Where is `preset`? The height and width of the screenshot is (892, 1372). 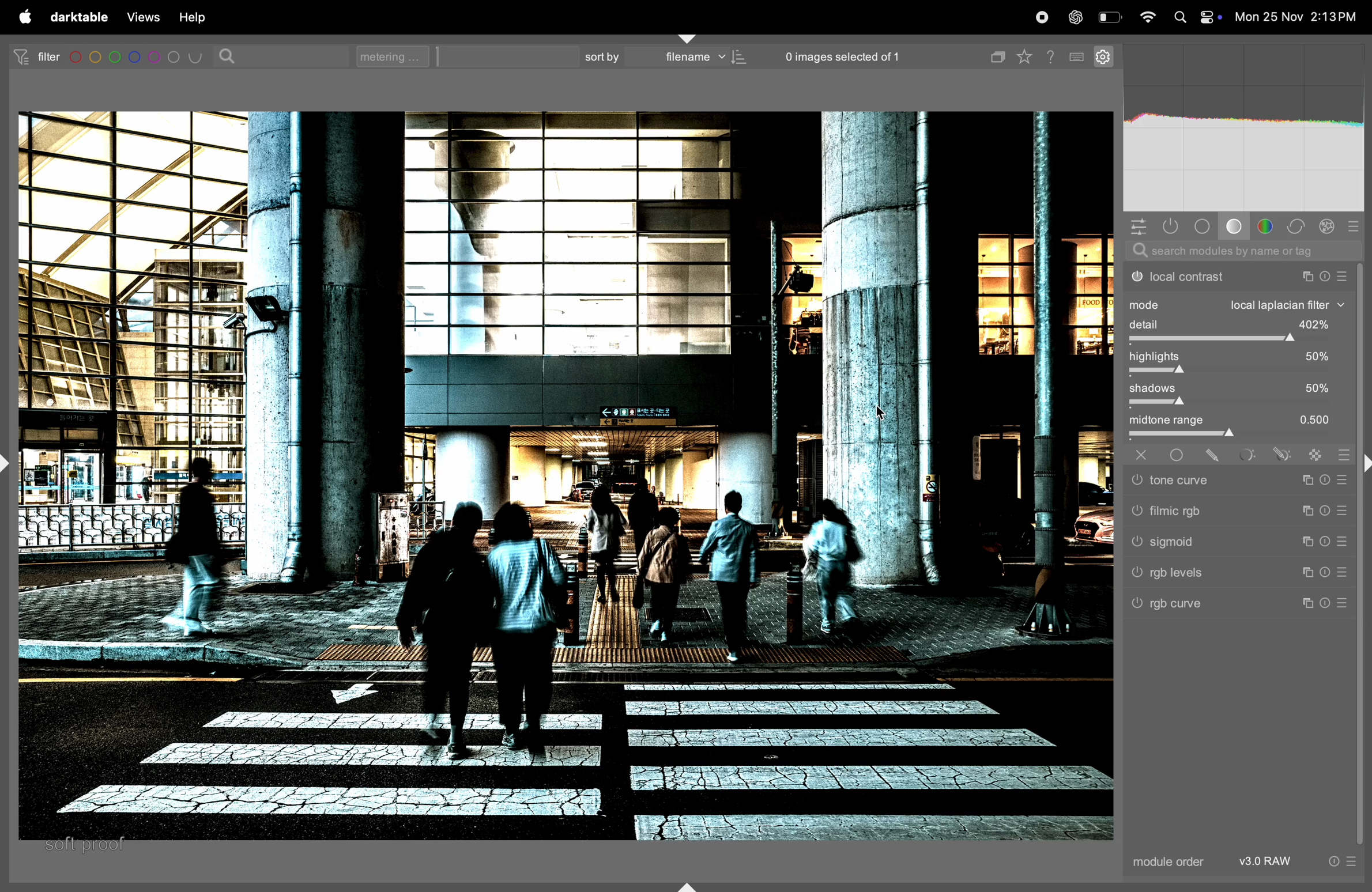 preset is located at coordinates (1339, 543).